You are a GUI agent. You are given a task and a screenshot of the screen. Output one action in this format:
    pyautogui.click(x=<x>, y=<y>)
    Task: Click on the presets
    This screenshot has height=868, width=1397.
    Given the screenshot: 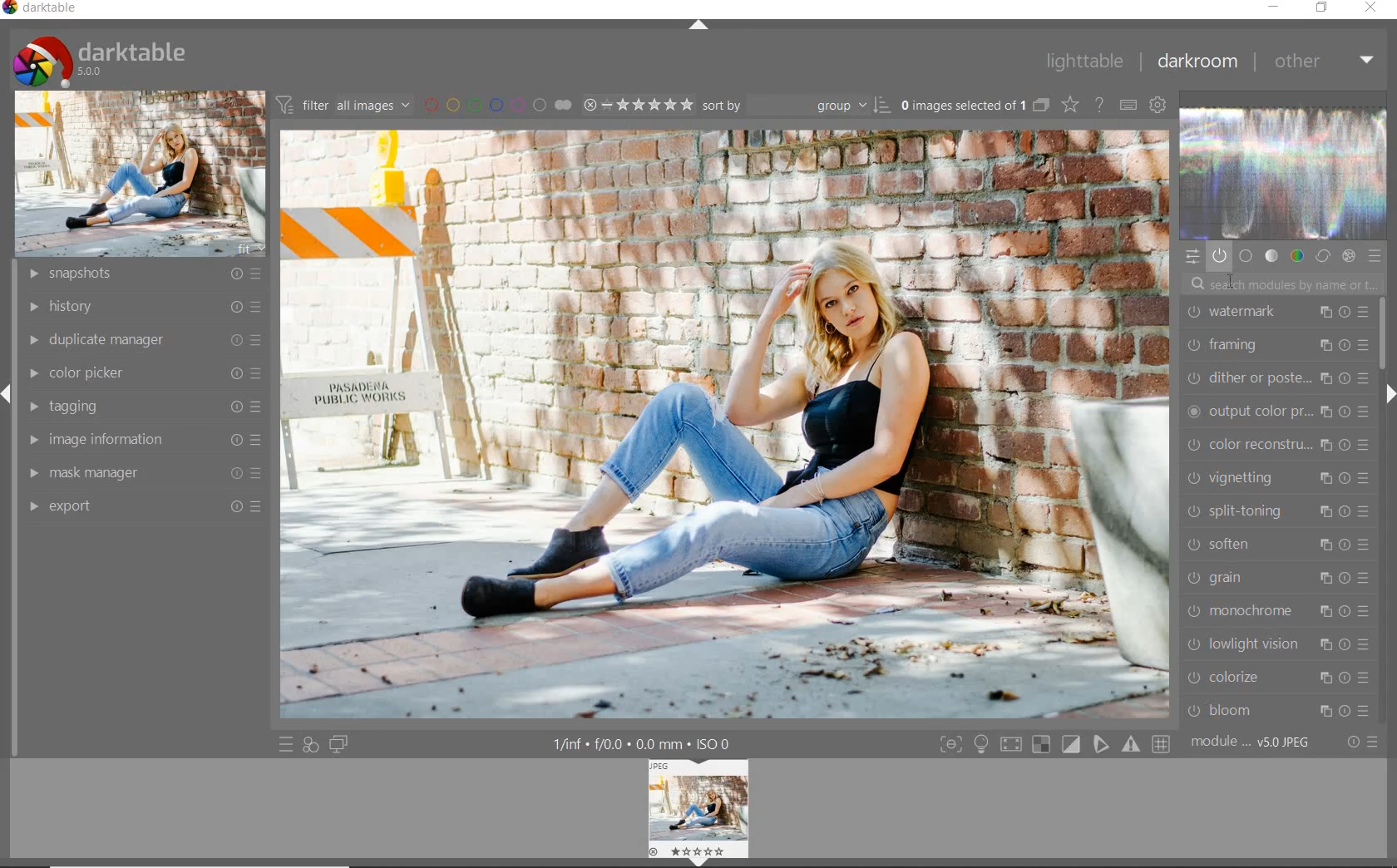 What is the action you would take?
    pyautogui.click(x=1377, y=254)
    